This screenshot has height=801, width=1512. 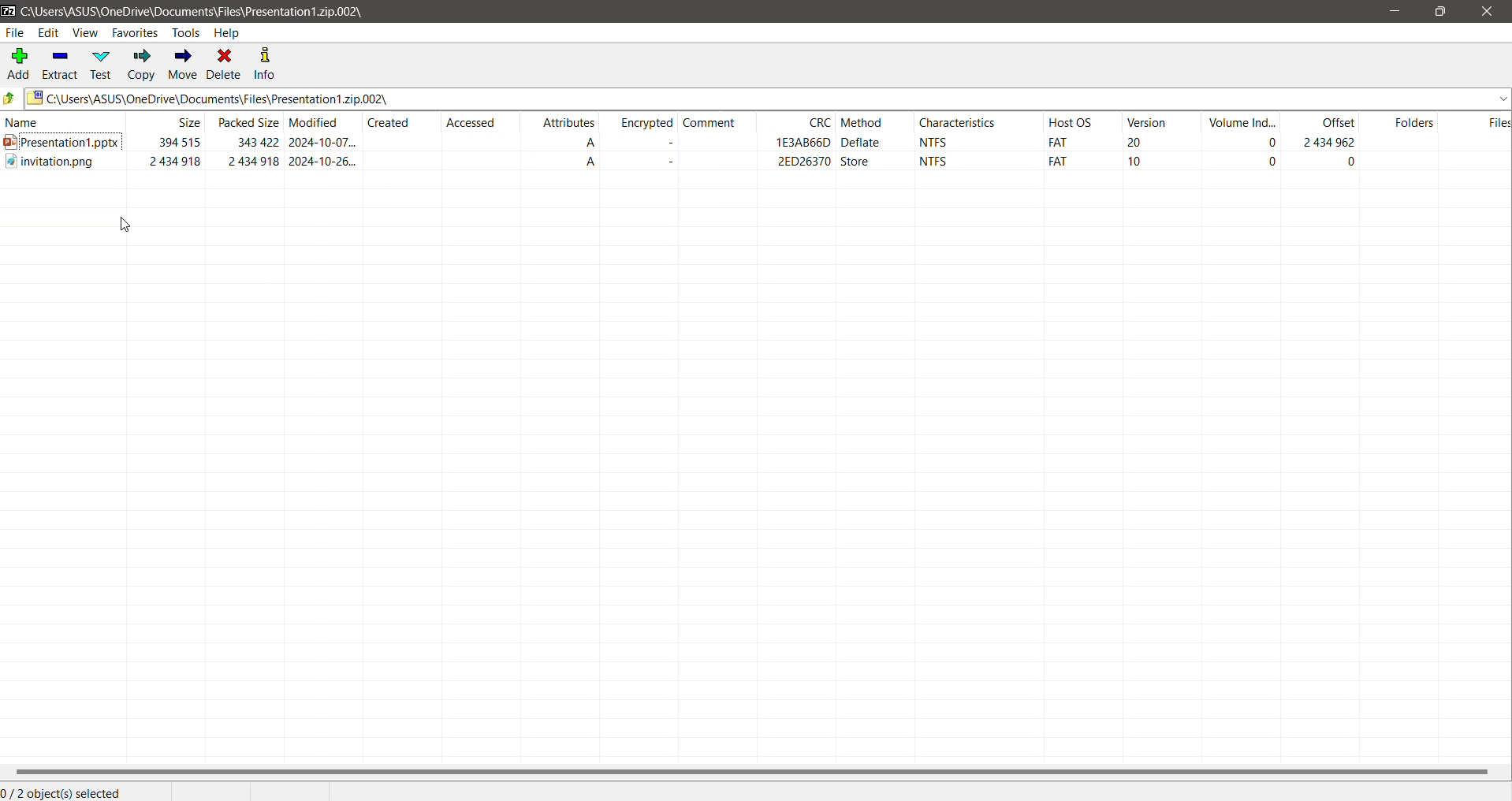 What do you see at coordinates (805, 121) in the screenshot?
I see `CRC` at bounding box center [805, 121].